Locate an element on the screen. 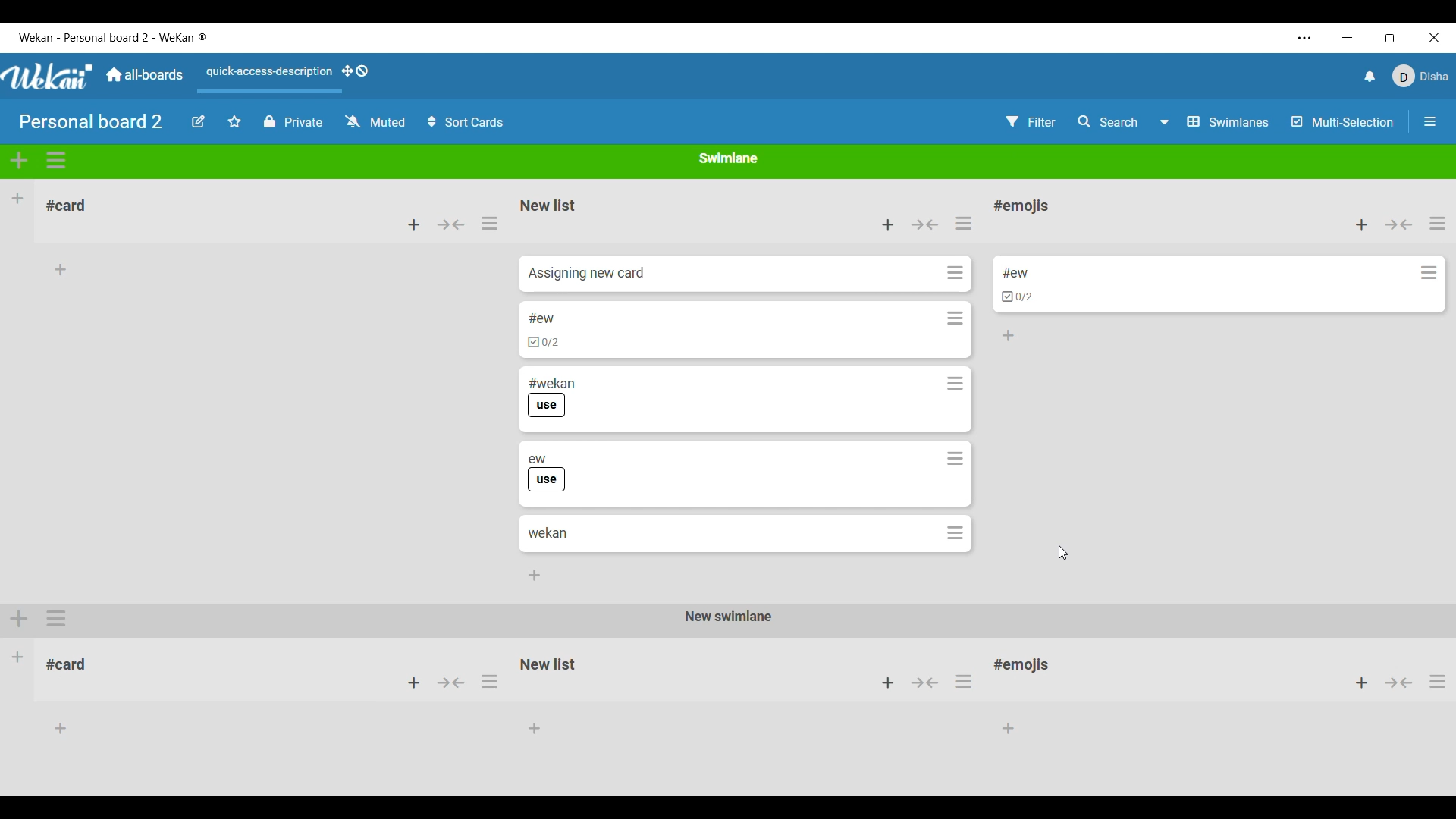  Notifications is located at coordinates (1371, 76).